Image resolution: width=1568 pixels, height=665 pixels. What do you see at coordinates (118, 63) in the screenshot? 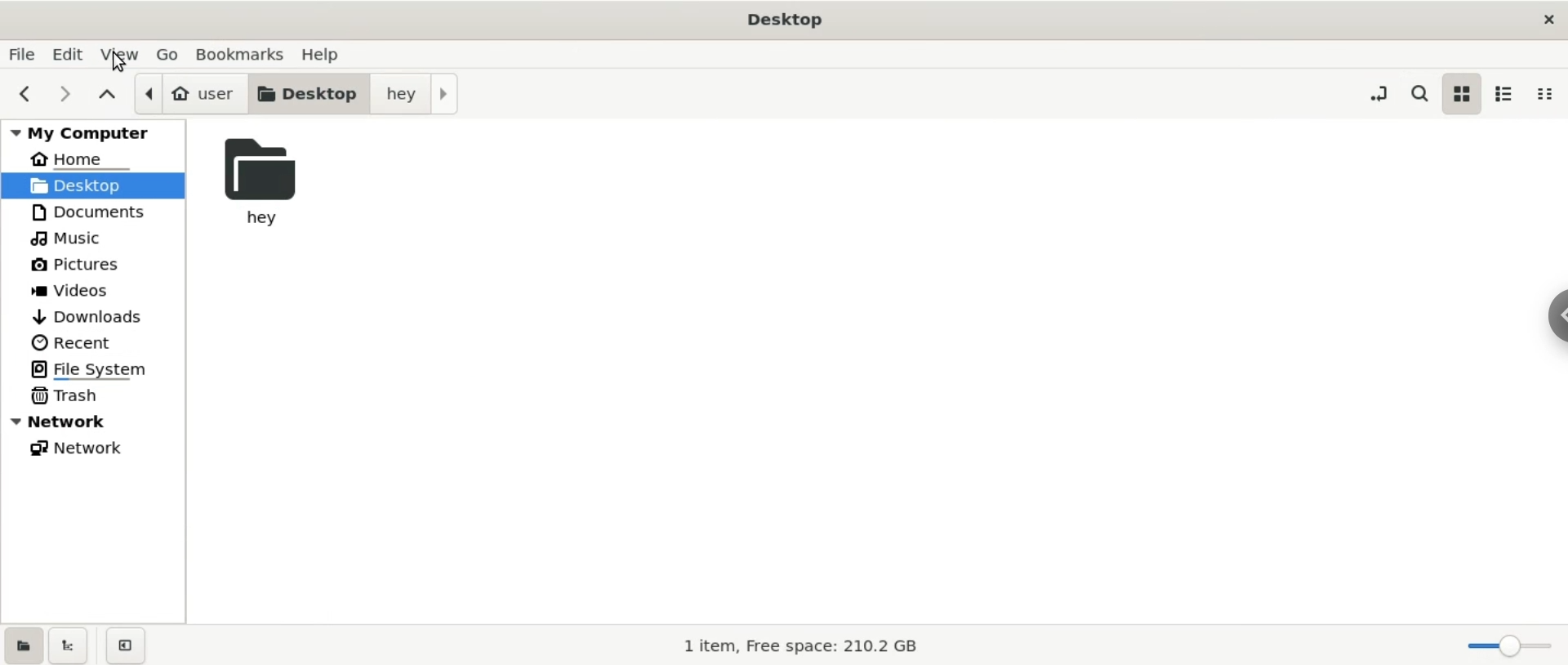
I see `cursor` at bounding box center [118, 63].